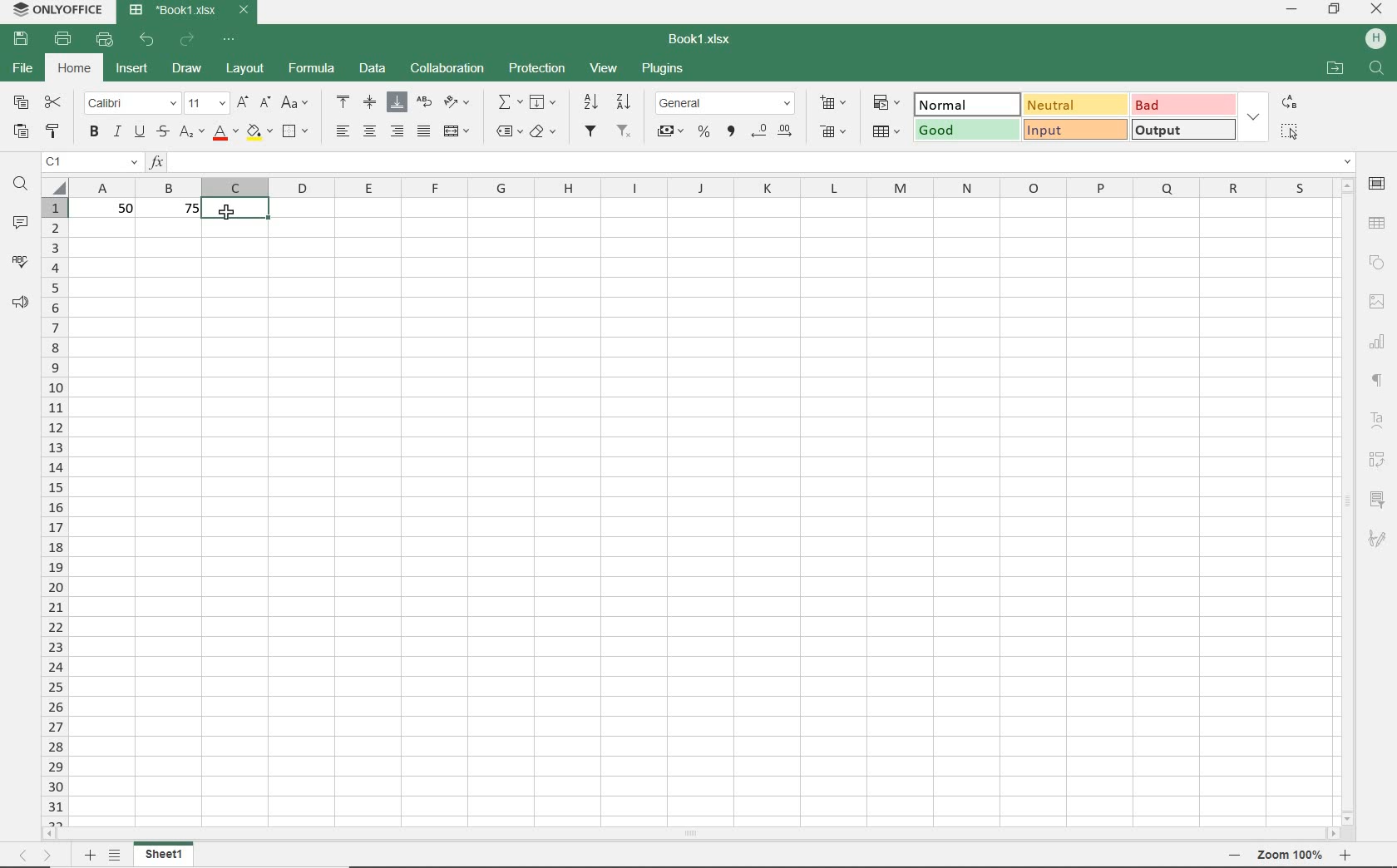 The width and height of the screenshot is (1397, 868). Describe the element at coordinates (603, 67) in the screenshot. I see `view` at that location.